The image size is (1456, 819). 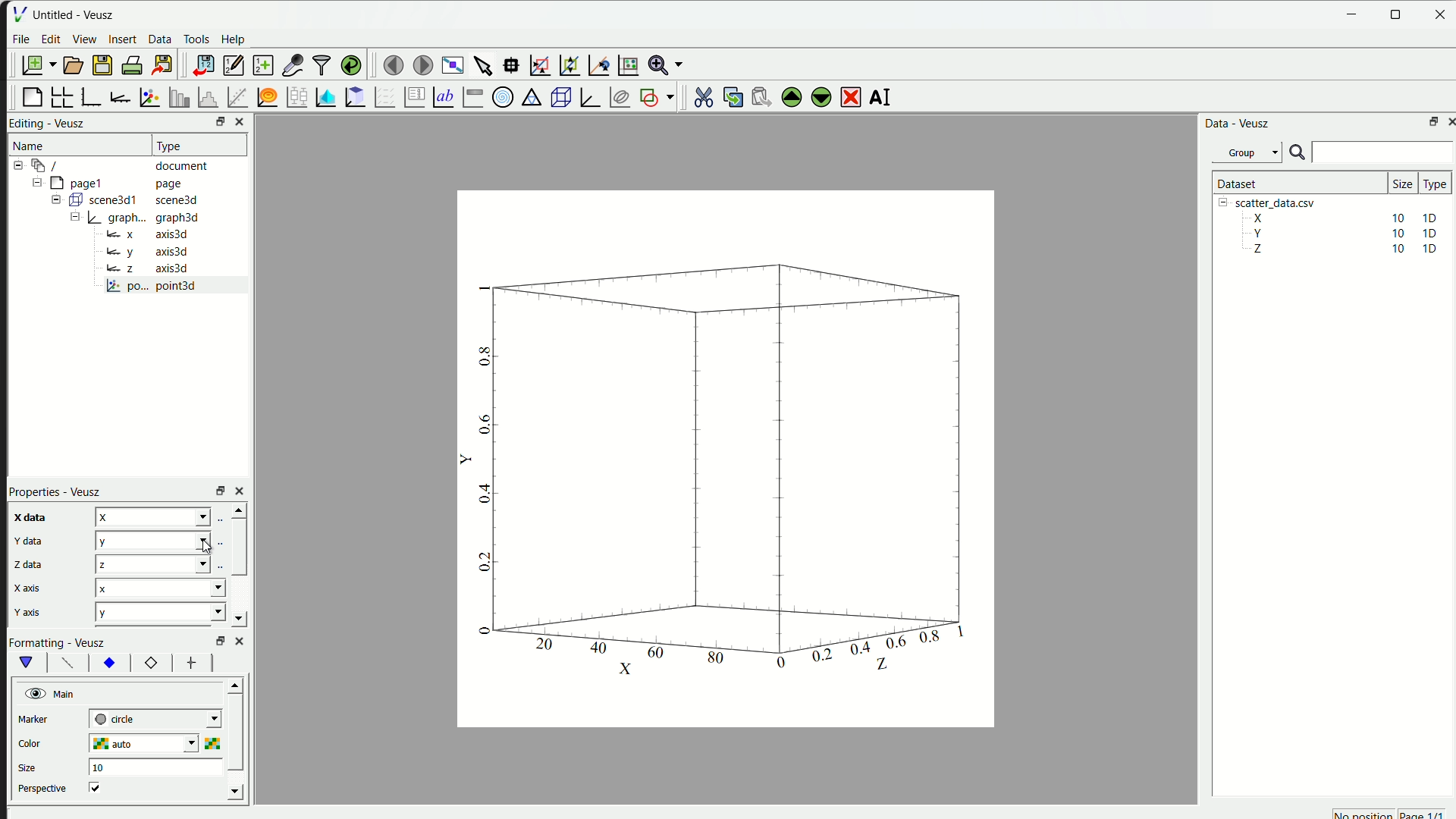 I want to click on save a document, so click(x=100, y=66).